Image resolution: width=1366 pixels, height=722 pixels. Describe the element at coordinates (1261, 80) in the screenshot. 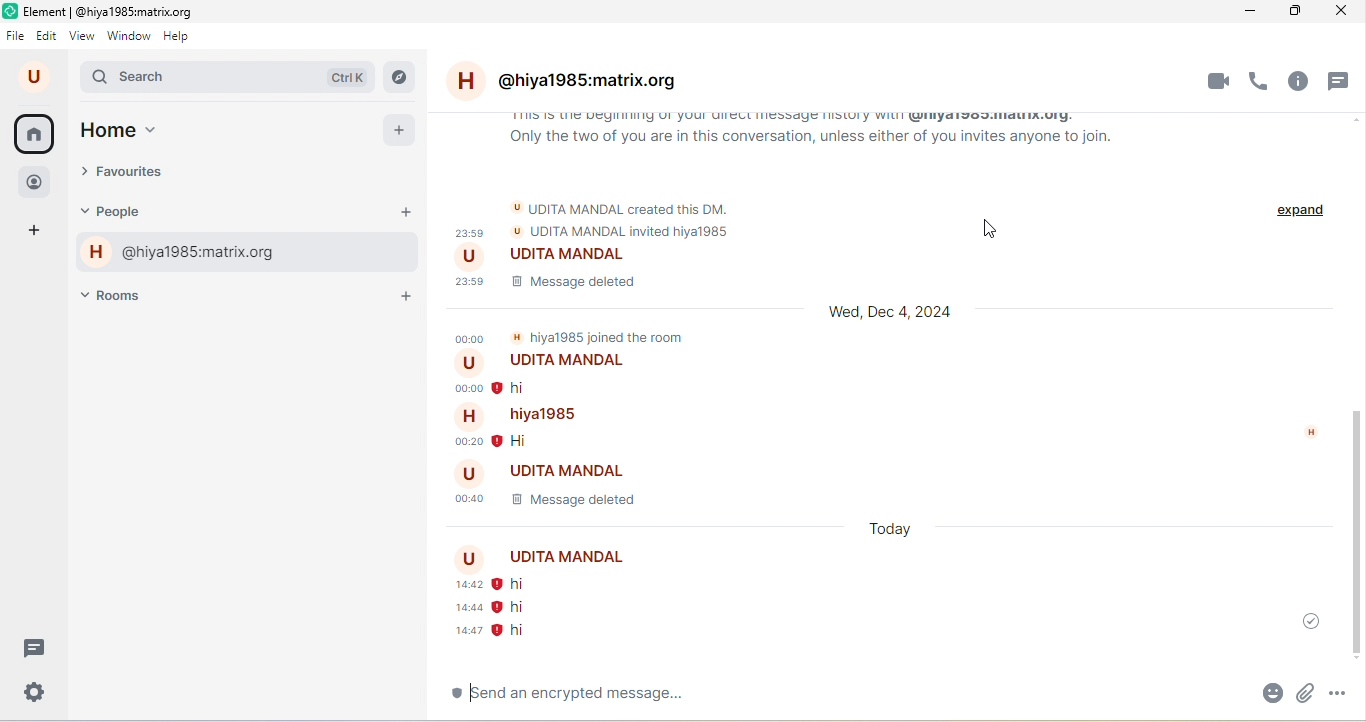

I see `voice call` at that location.